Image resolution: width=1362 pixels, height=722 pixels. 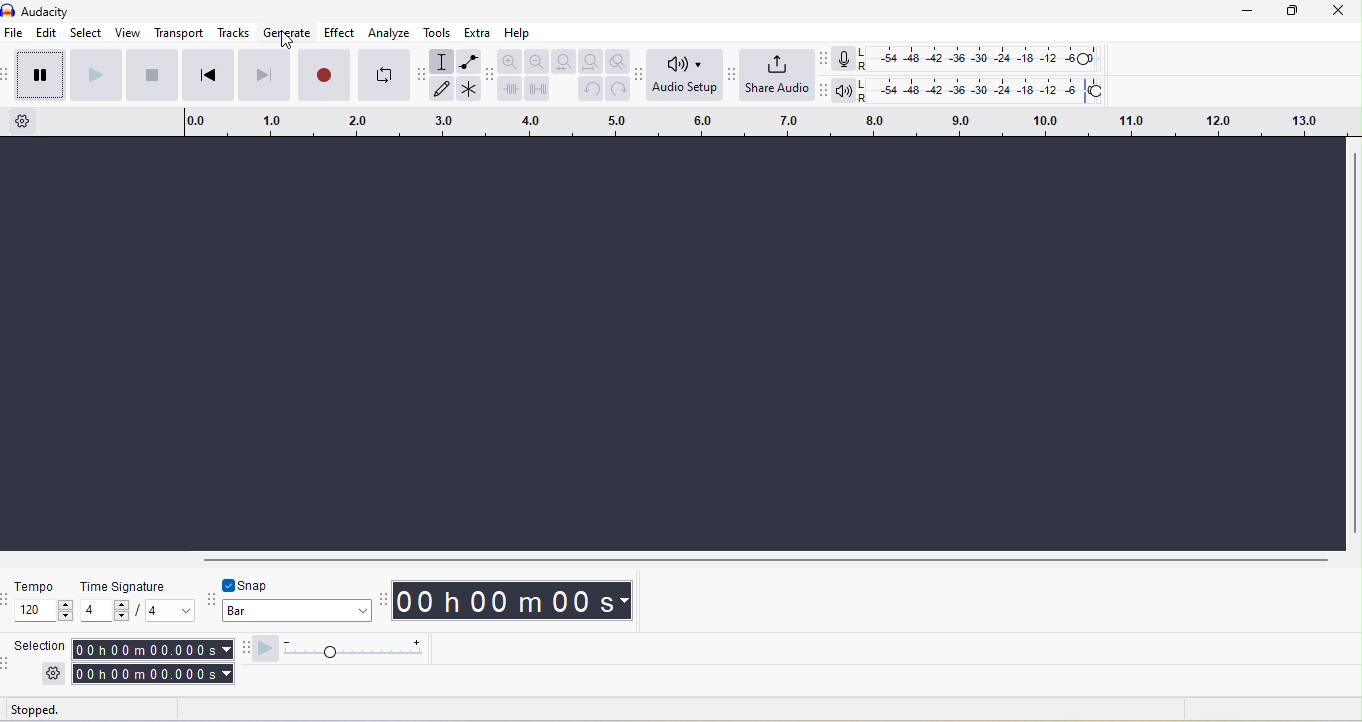 What do you see at coordinates (66, 10) in the screenshot?
I see `title` at bounding box center [66, 10].